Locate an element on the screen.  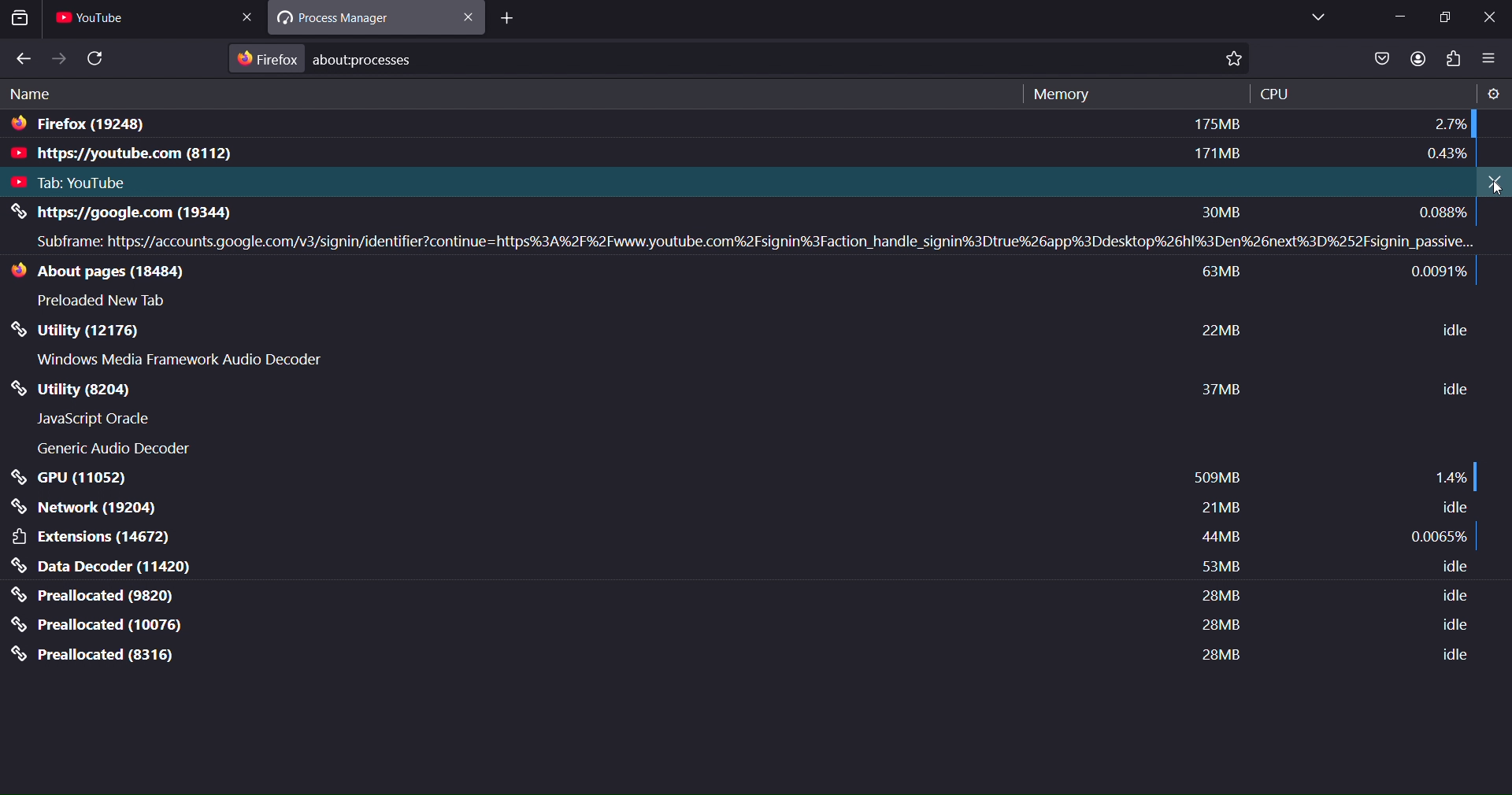
kill is located at coordinates (1494, 183).